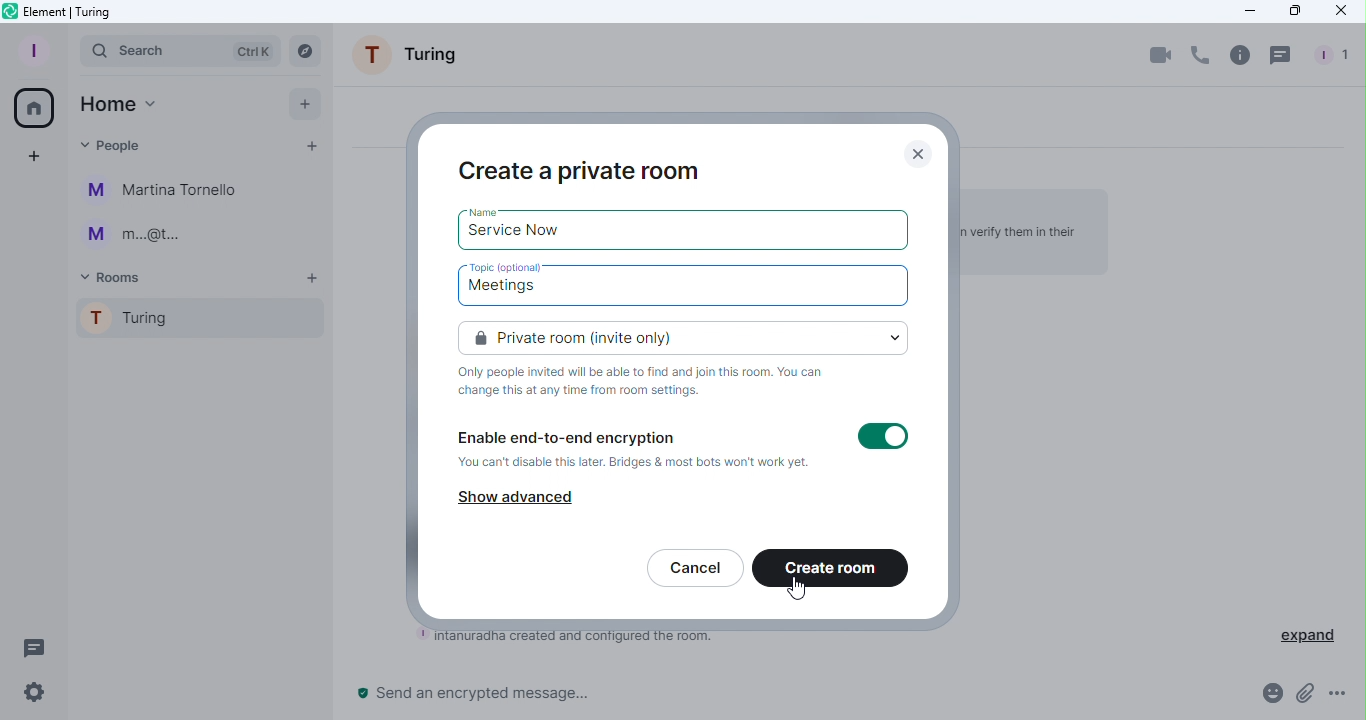 This screenshot has height=720, width=1366. I want to click on Call, so click(1198, 56).